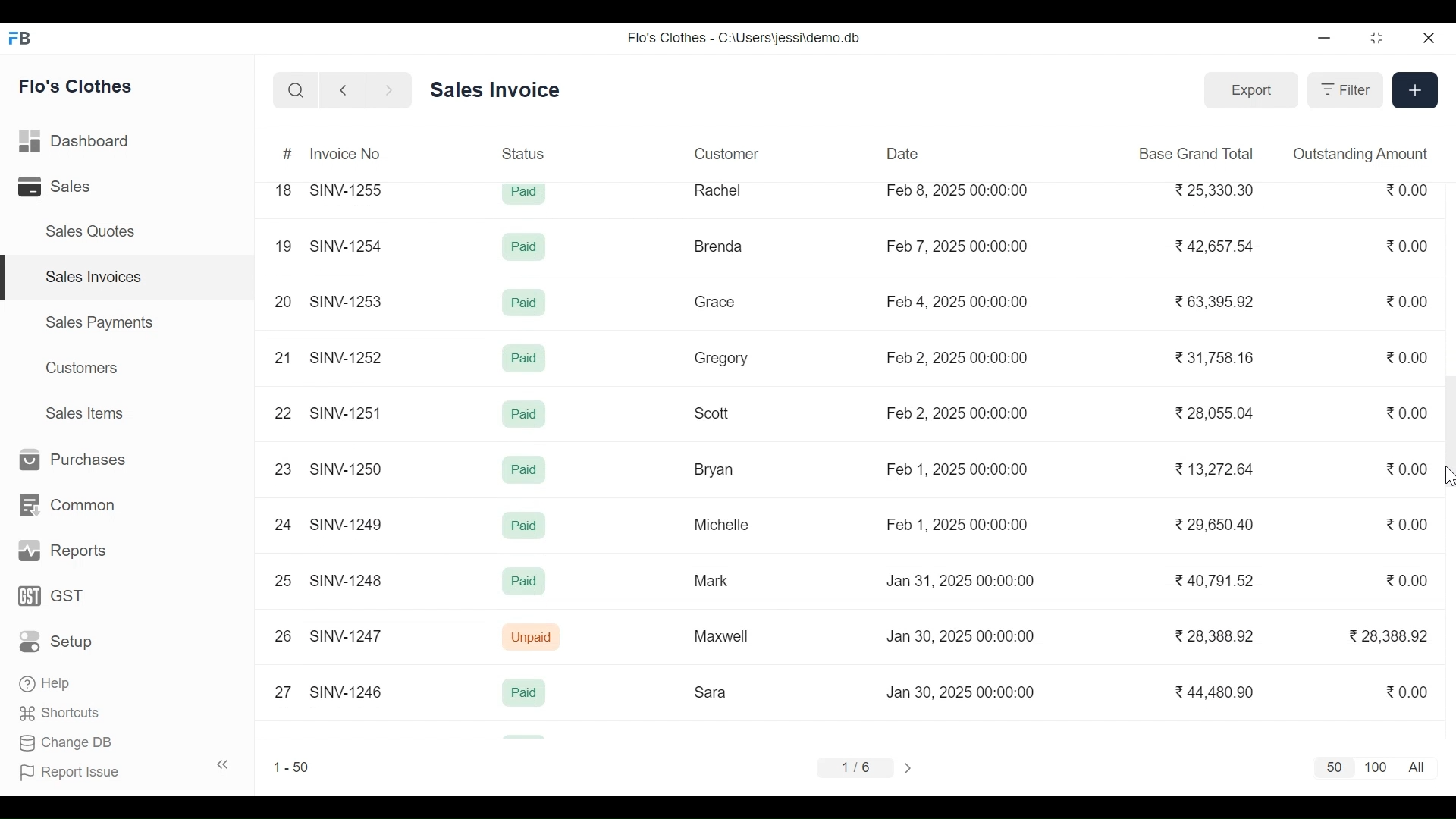 This screenshot has width=1456, height=819. Describe the element at coordinates (911, 767) in the screenshot. I see `Next` at that location.